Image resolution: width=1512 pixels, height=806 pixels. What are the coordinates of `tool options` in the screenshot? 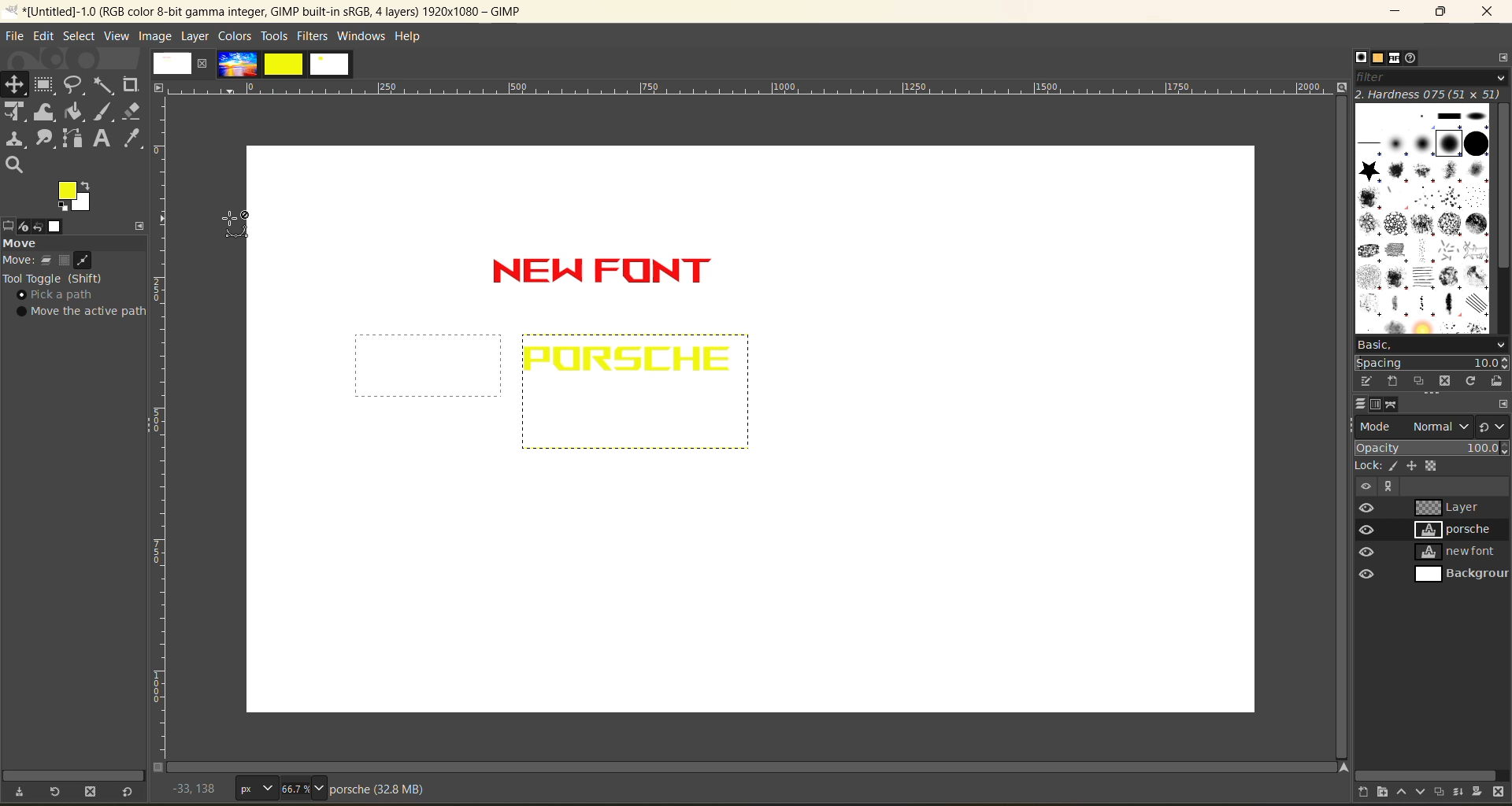 It's located at (9, 226).